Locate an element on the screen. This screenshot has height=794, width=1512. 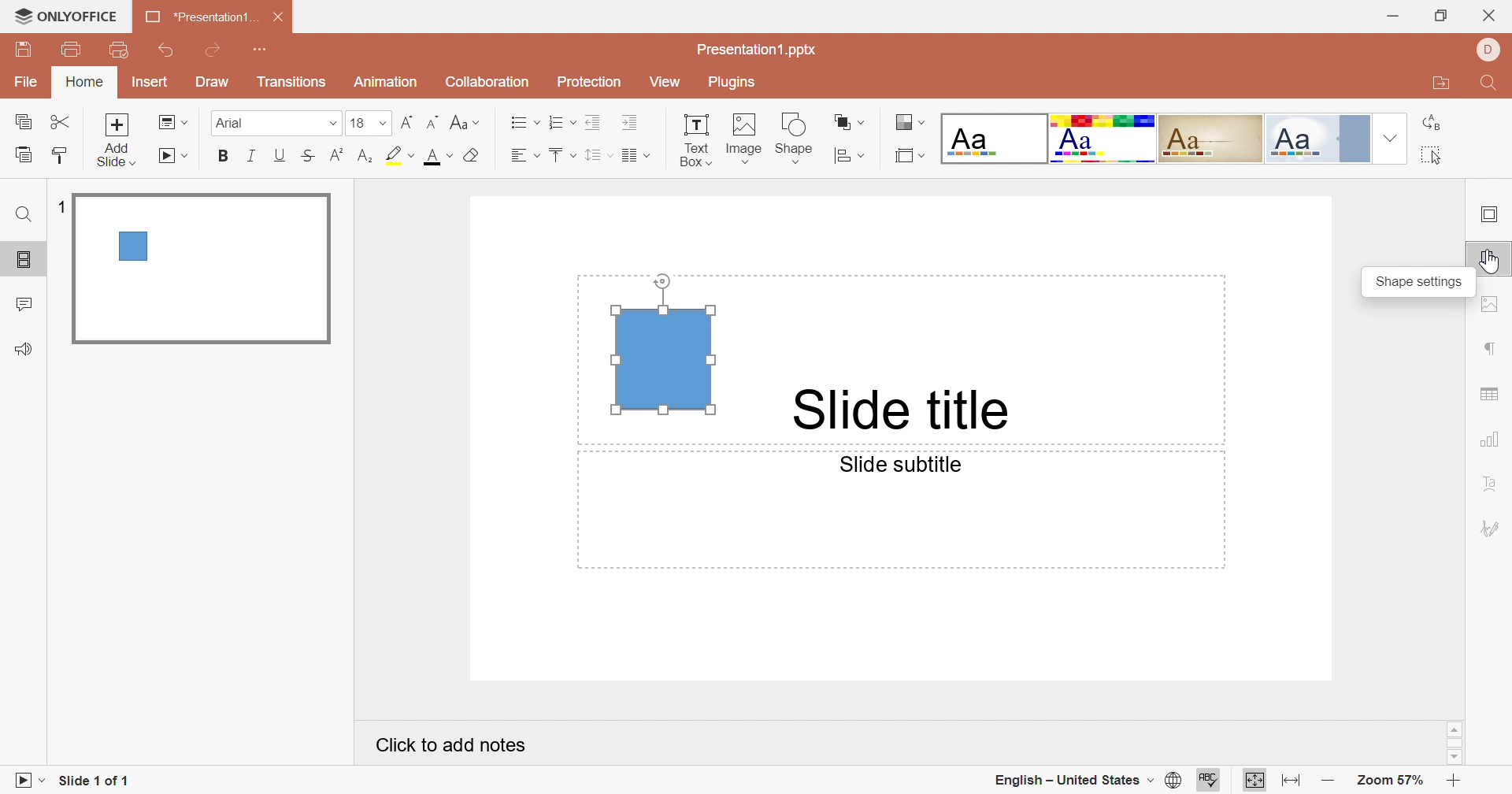
Numbering is located at coordinates (565, 125).